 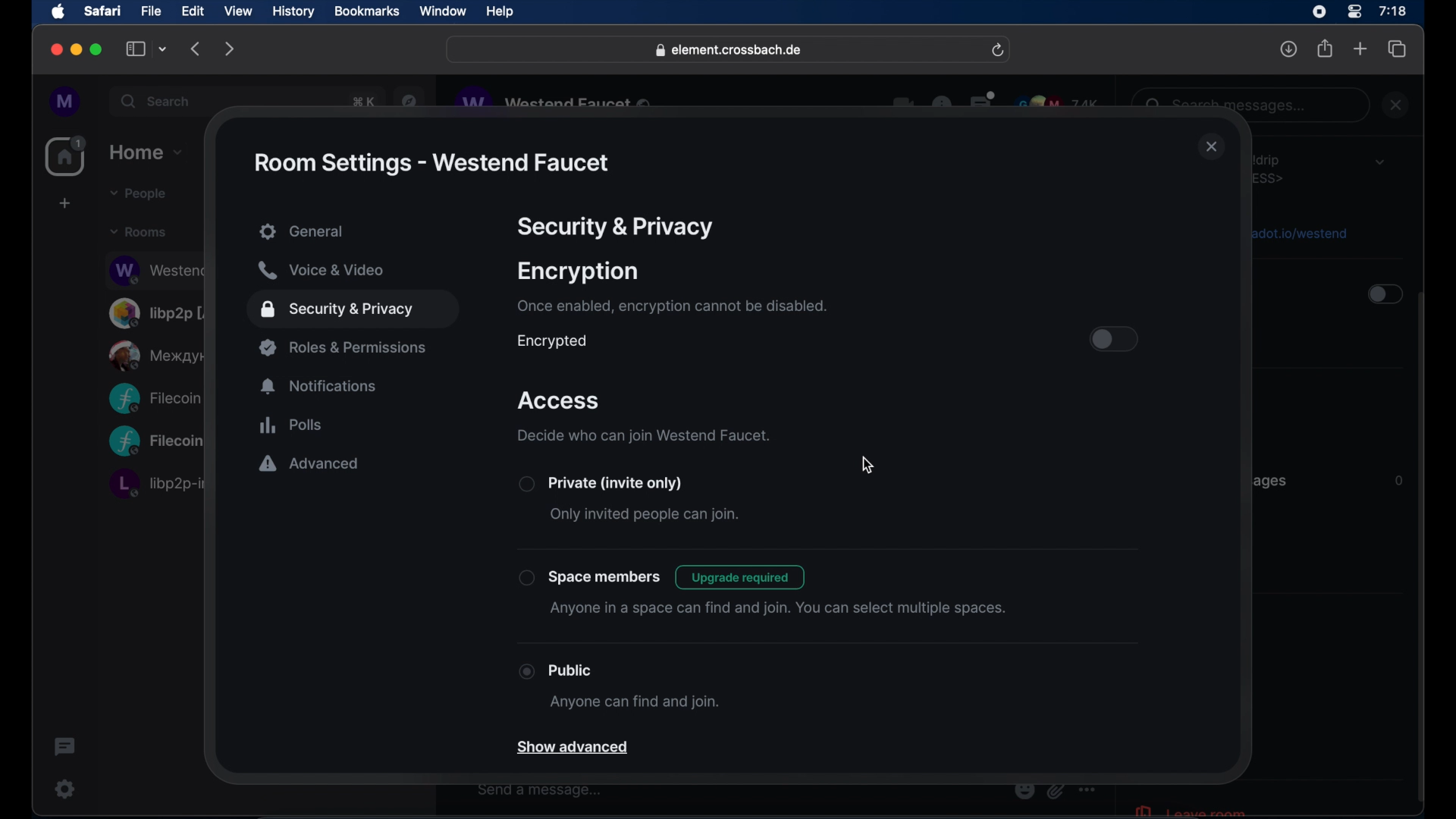 I want to click on obscure icon, so click(x=1055, y=790).